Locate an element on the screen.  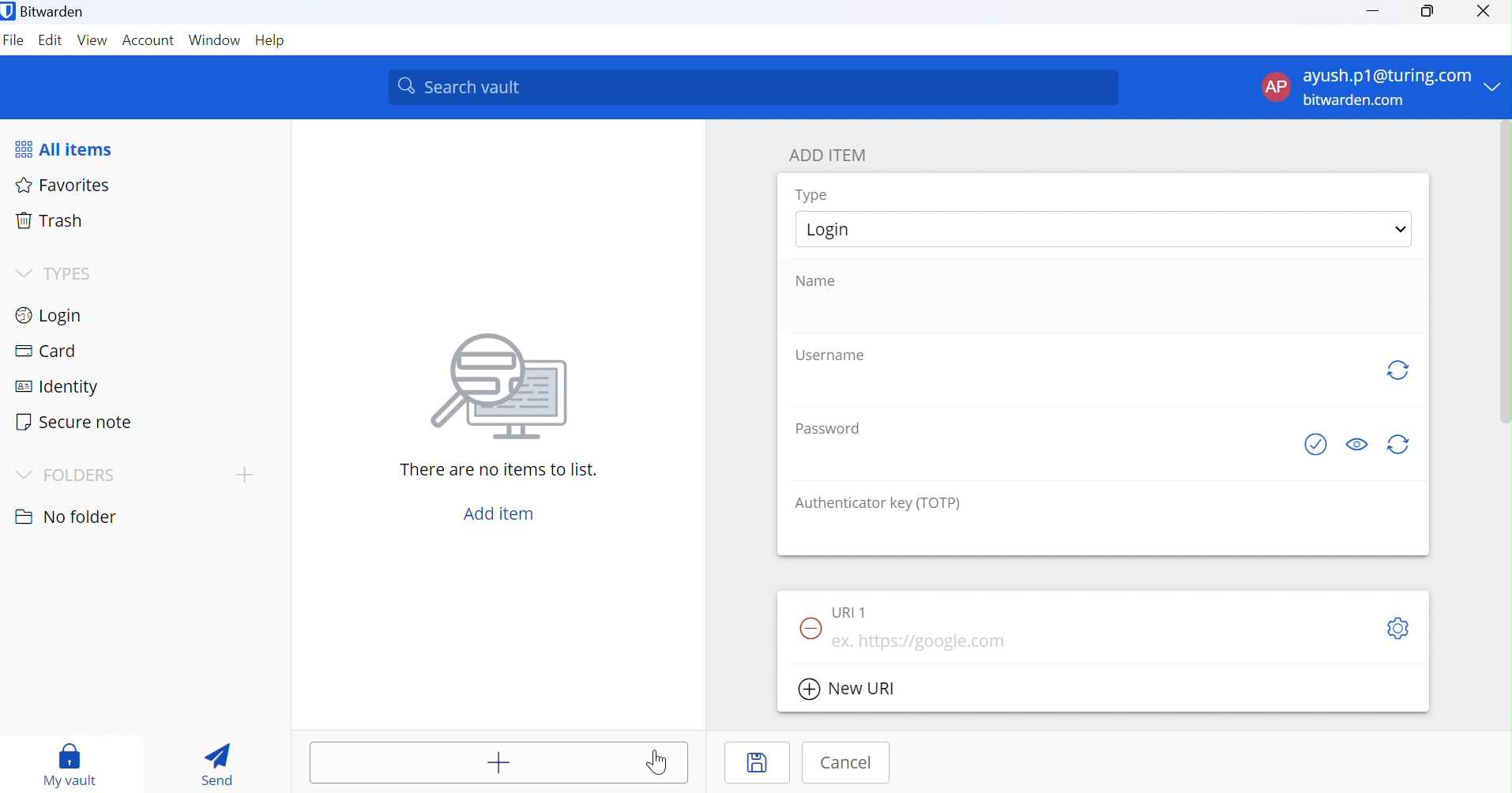
Save is located at coordinates (758, 762).